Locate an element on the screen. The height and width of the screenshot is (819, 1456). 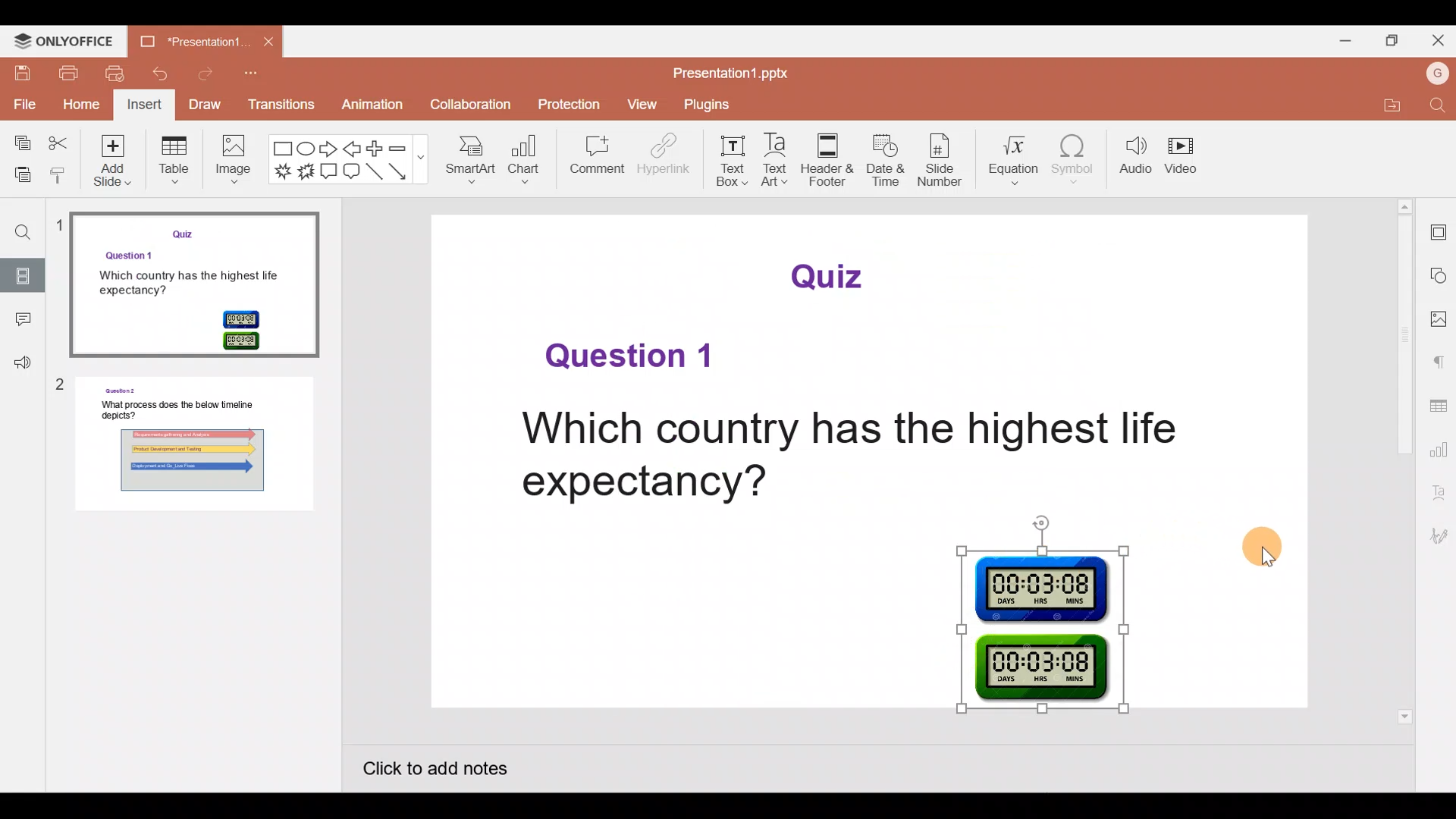
Collaboration is located at coordinates (464, 104).